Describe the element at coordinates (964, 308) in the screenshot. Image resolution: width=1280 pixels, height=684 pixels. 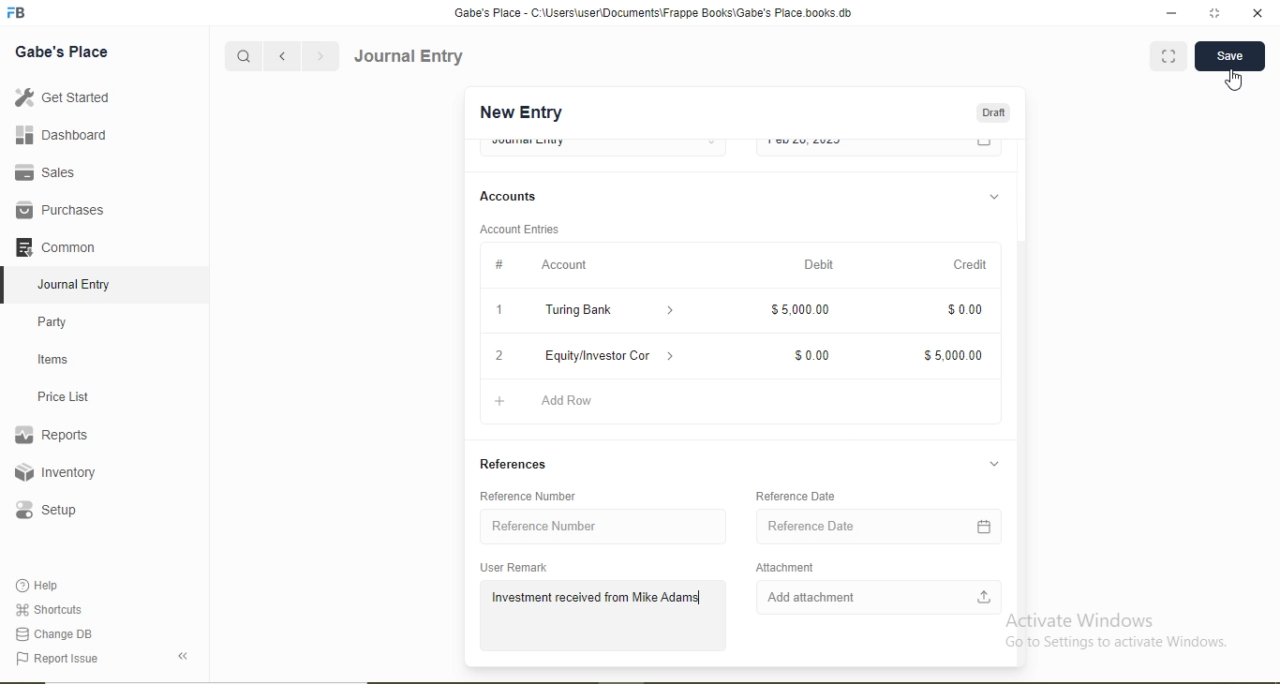
I see `$0.00` at that location.